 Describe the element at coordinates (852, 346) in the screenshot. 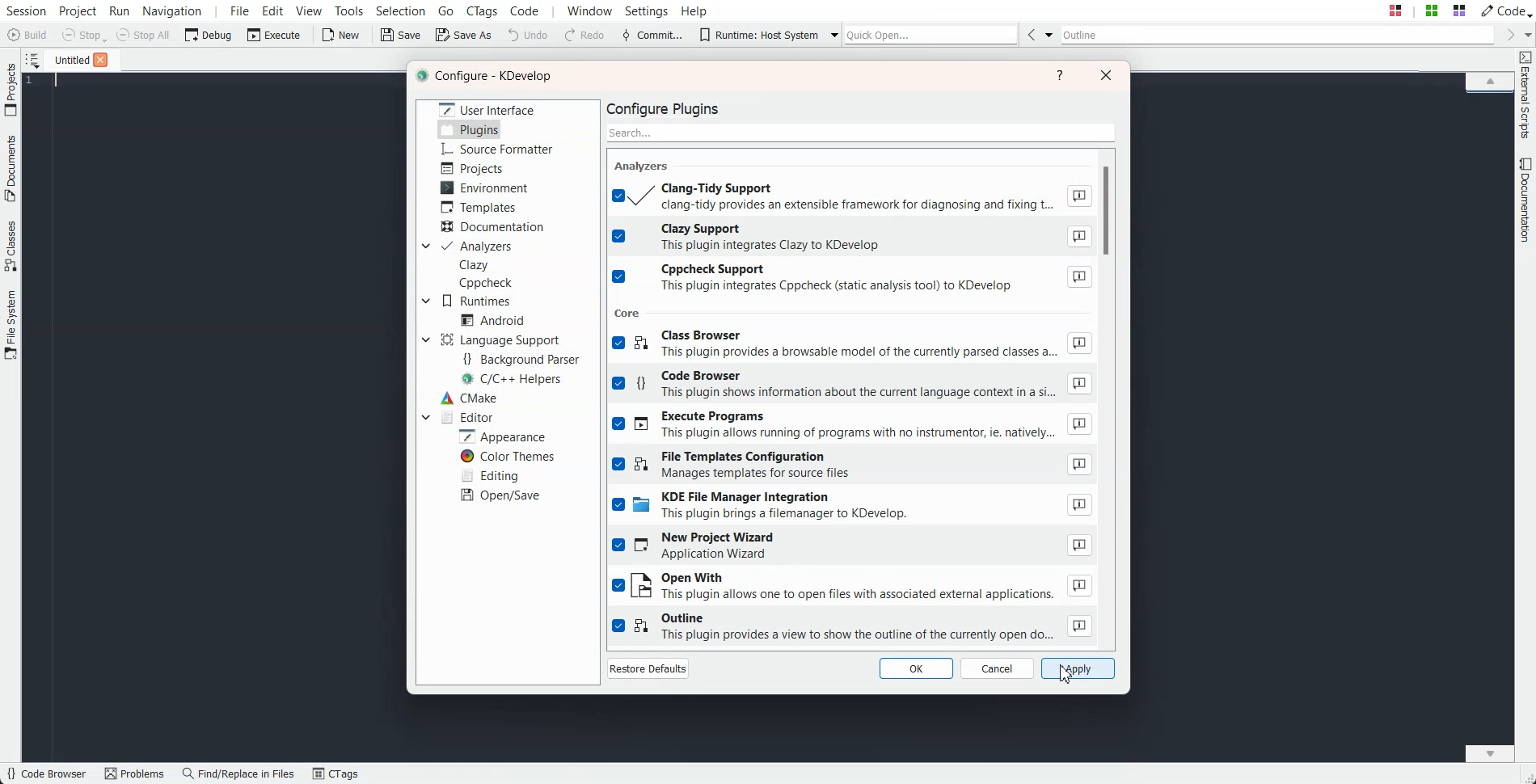

I see `Enable Class Browser` at that location.